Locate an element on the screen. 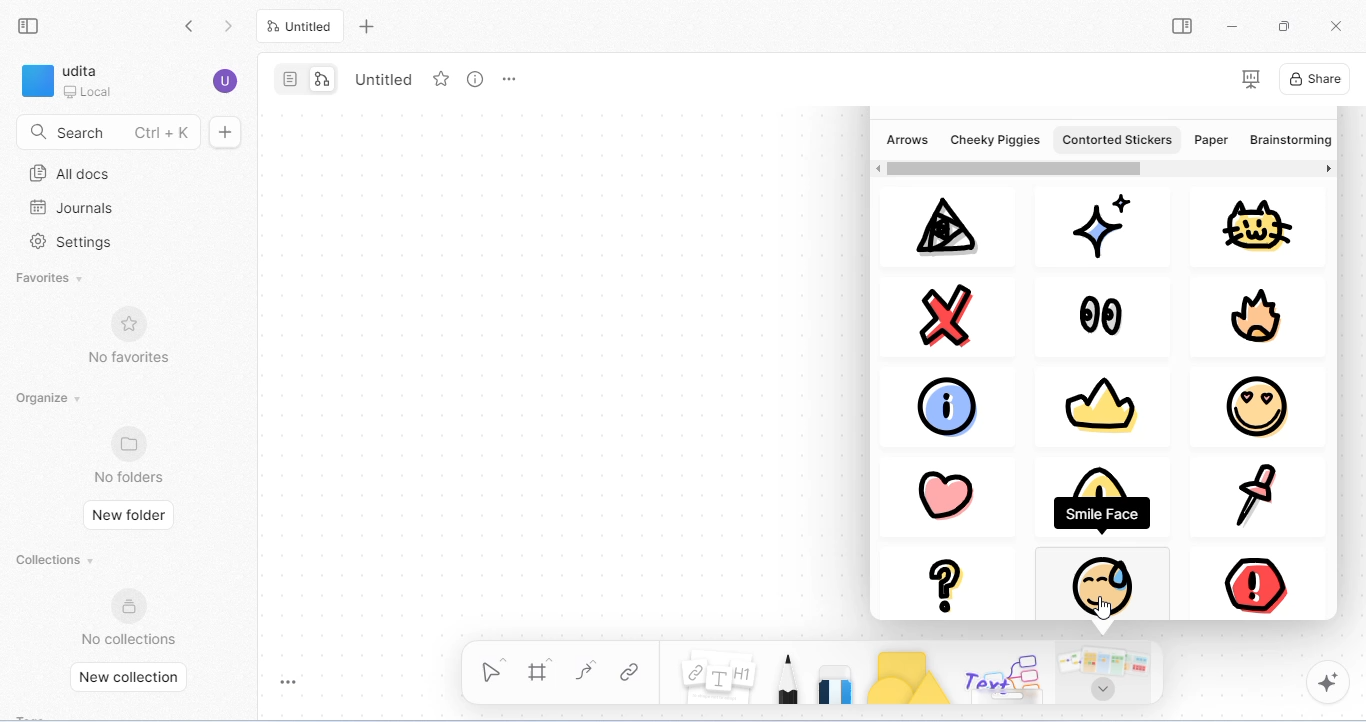 This screenshot has height=722, width=1366. Exclamatory is located at coordinates (1106, 500).